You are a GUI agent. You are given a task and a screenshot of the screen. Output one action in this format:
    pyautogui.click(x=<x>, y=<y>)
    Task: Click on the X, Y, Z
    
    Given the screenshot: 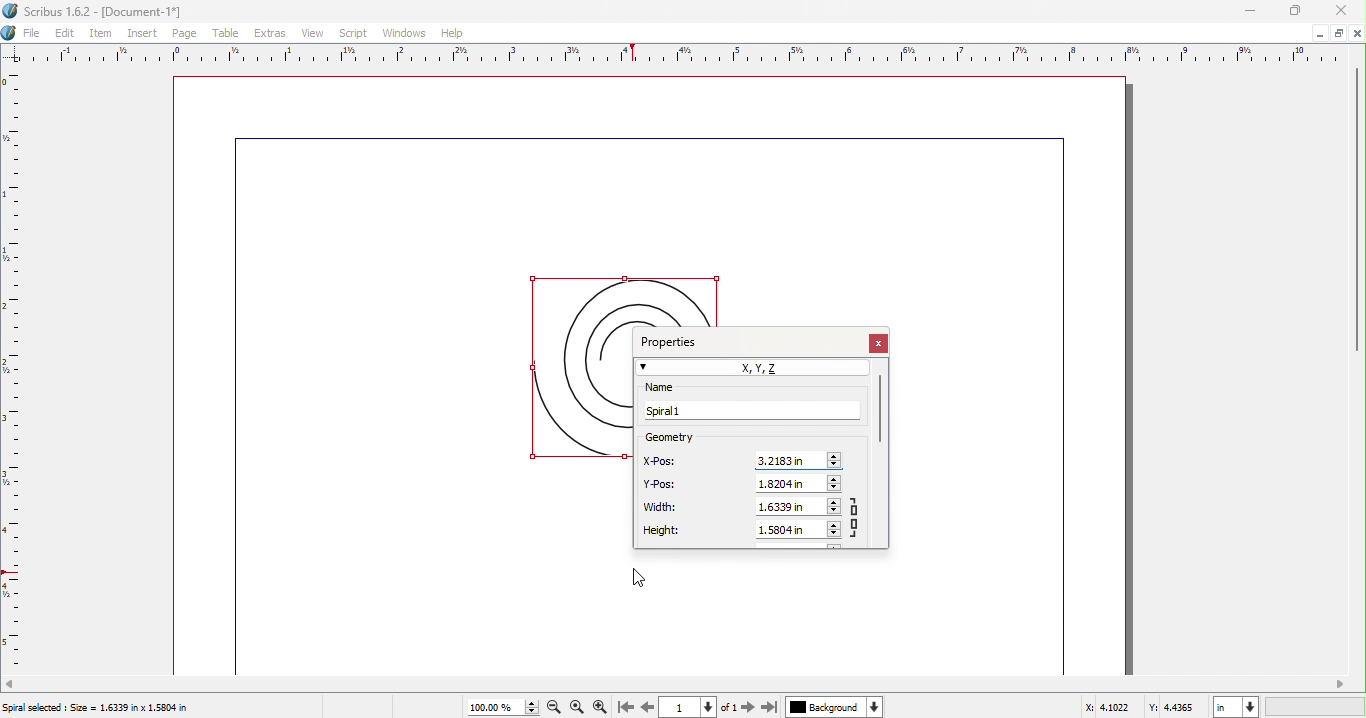 What is the action you would take?
    pyautogui.click(x=752, y=368)
    